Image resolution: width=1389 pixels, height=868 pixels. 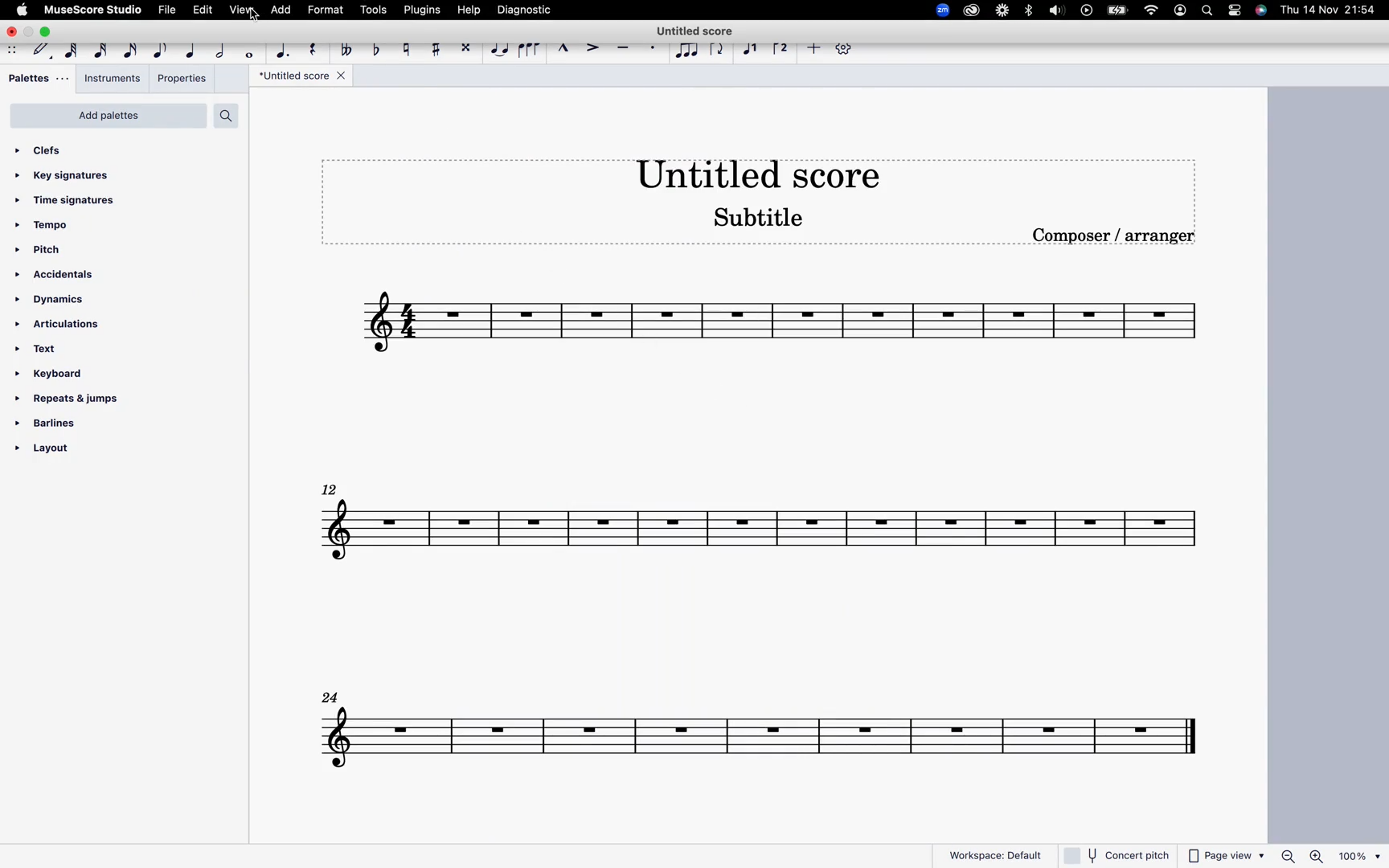 I want to click on dynamics, so click(x=51, y=297).